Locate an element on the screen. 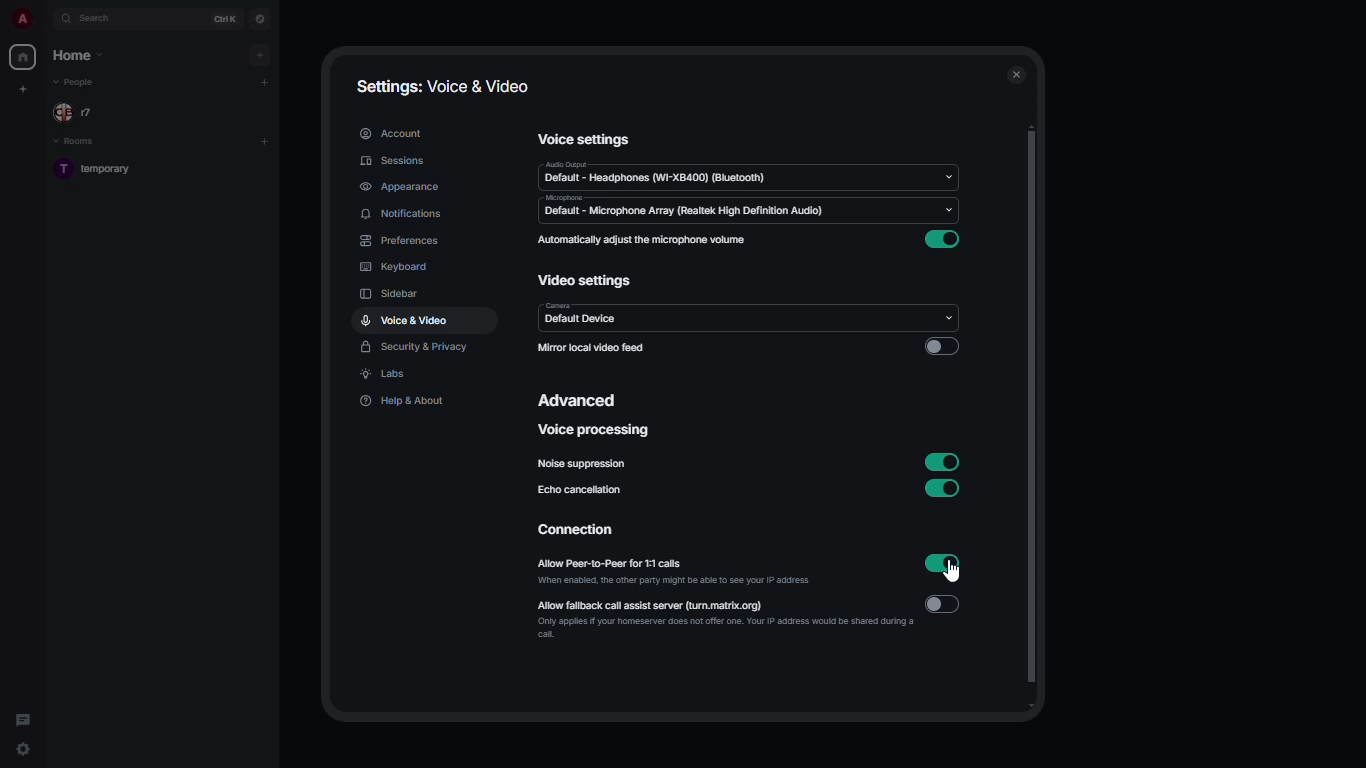 The image size is (1366, 768). keyboard is located at coordinates (394, 266).